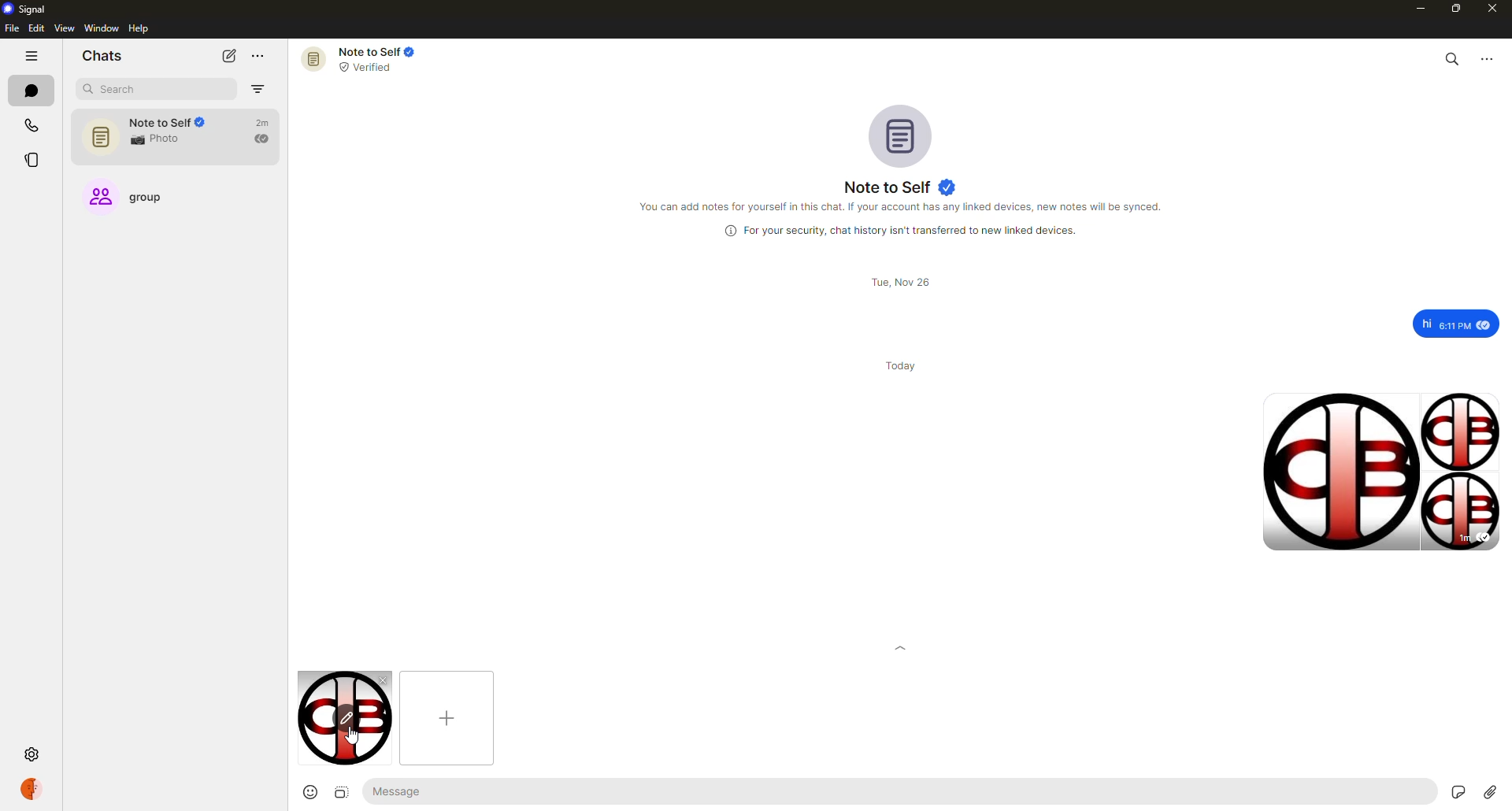 Image resolution: width=1512 pixels, height=811 pixels. What do you see at coordinates (102, 56) in the screenshot?
I see `chats` at bounding box center [102, 56].